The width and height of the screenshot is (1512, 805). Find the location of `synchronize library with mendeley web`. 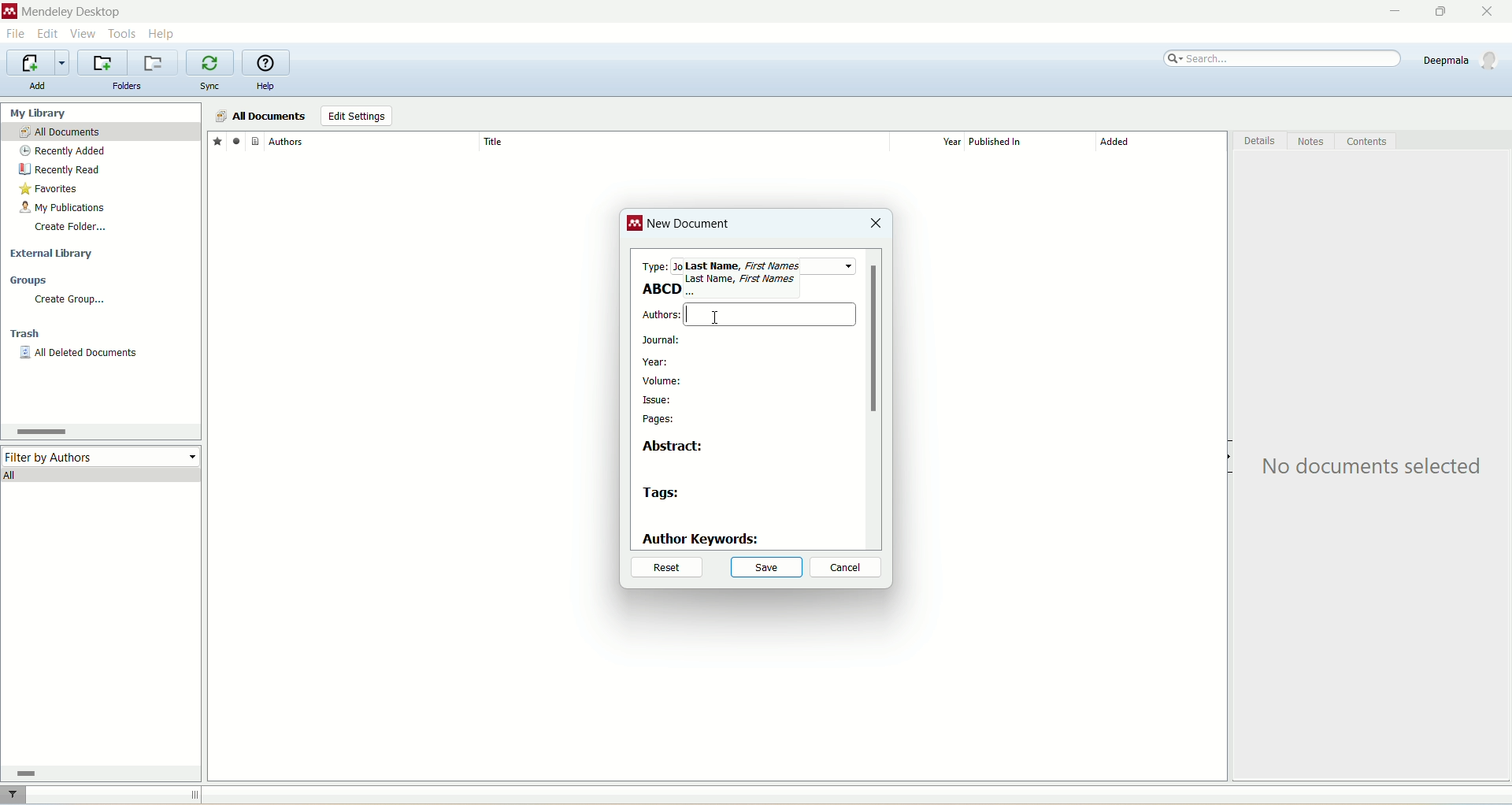

synchronize library with mendeley web is located at coordinates (212, 63).